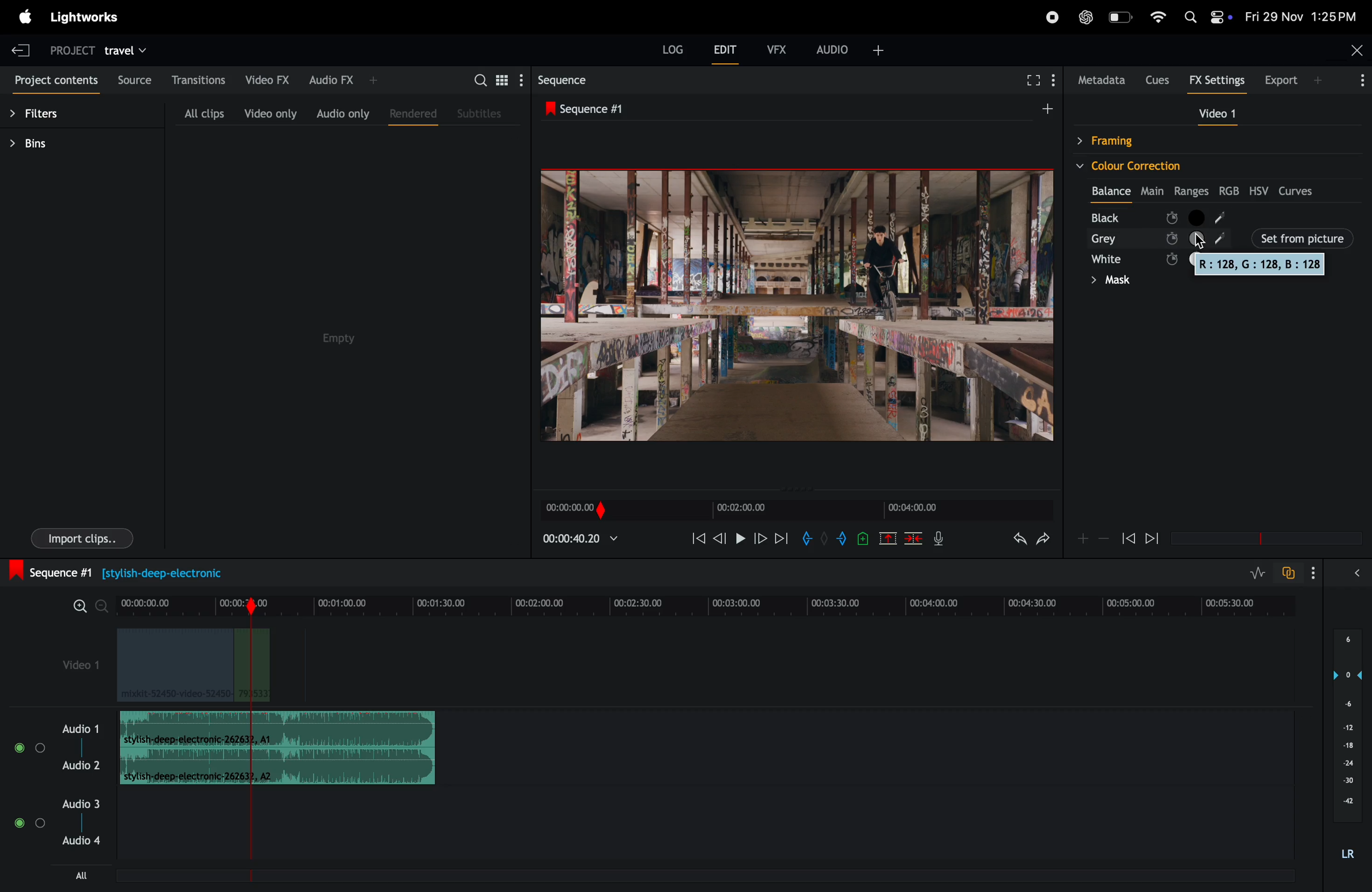 This screenshot has height=892, width=1372. Describe the element at coordinates (337, 339) in the screenshot. I see `empty` at that location.